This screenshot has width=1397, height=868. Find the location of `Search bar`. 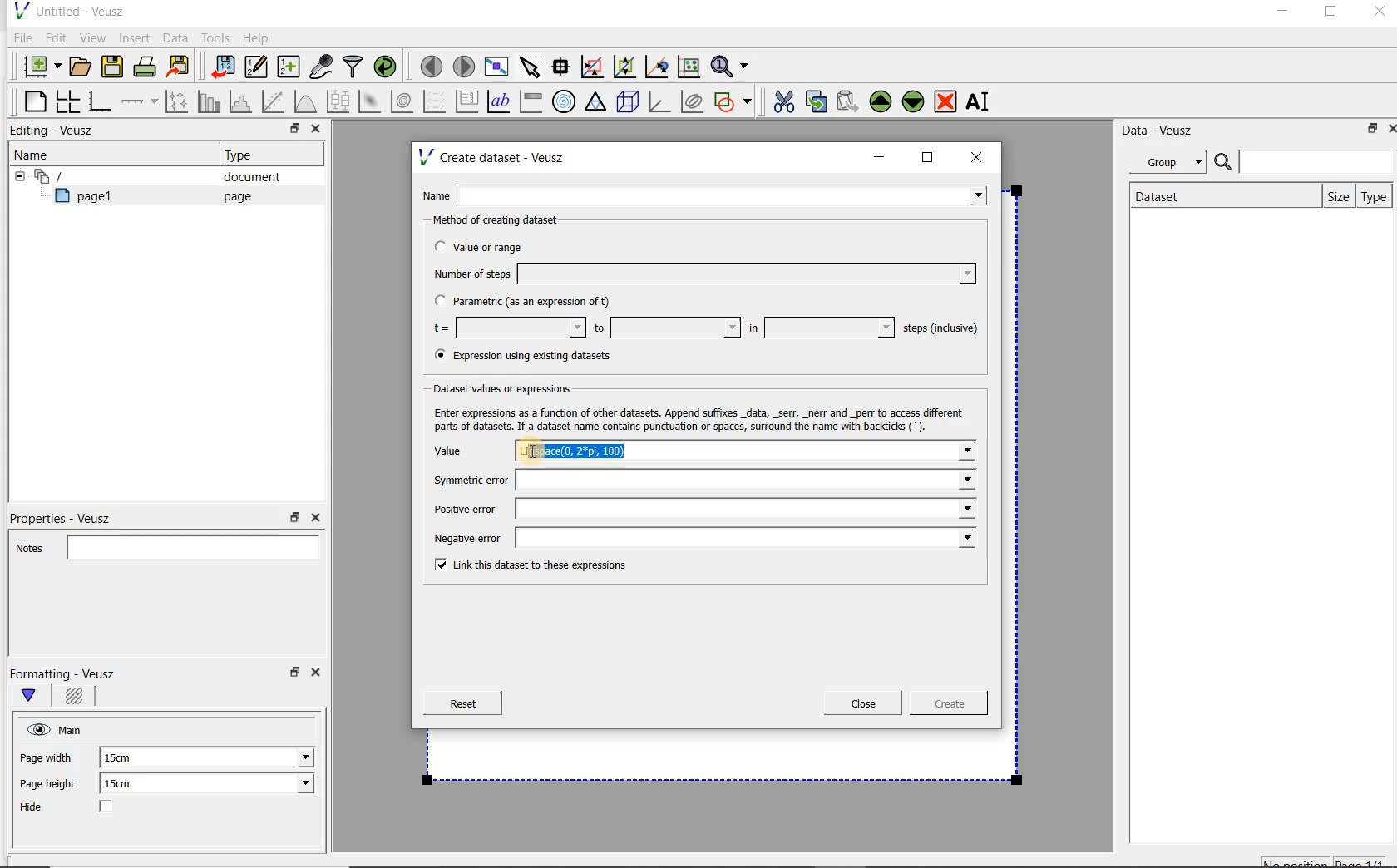

Search bar is located at coordinates (1305, 160).